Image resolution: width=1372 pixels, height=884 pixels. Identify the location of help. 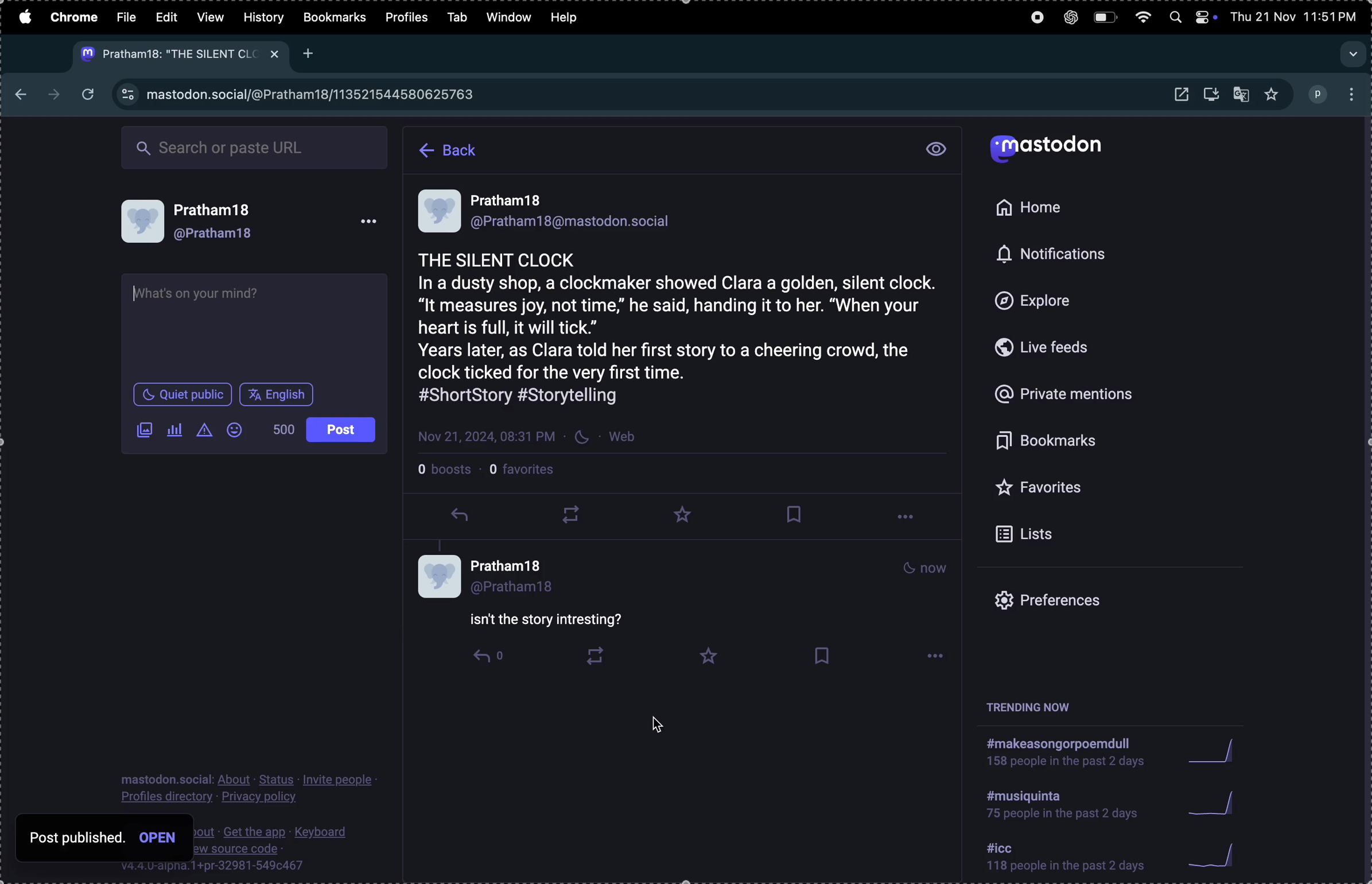
(570, 20).